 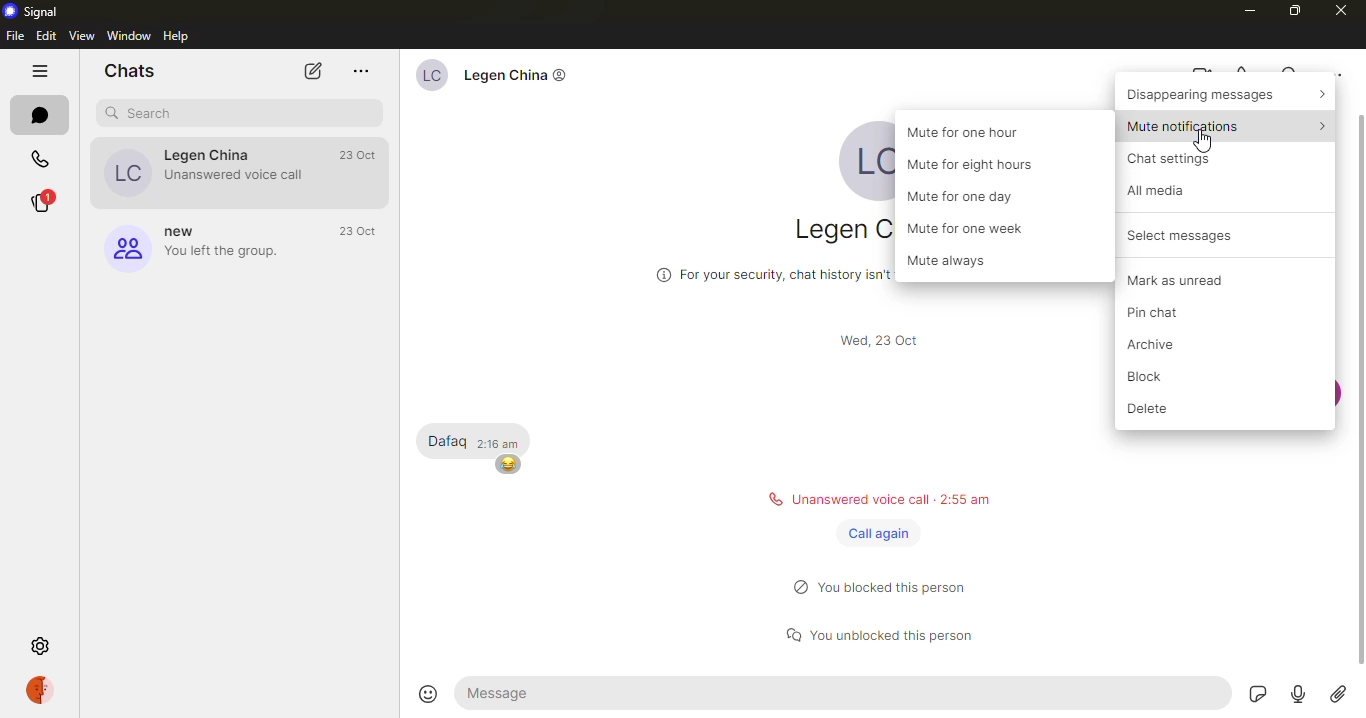 What do you see at coordinates (151, 112) in the screenshot?
I see `search` at bounding box center [151, 112].